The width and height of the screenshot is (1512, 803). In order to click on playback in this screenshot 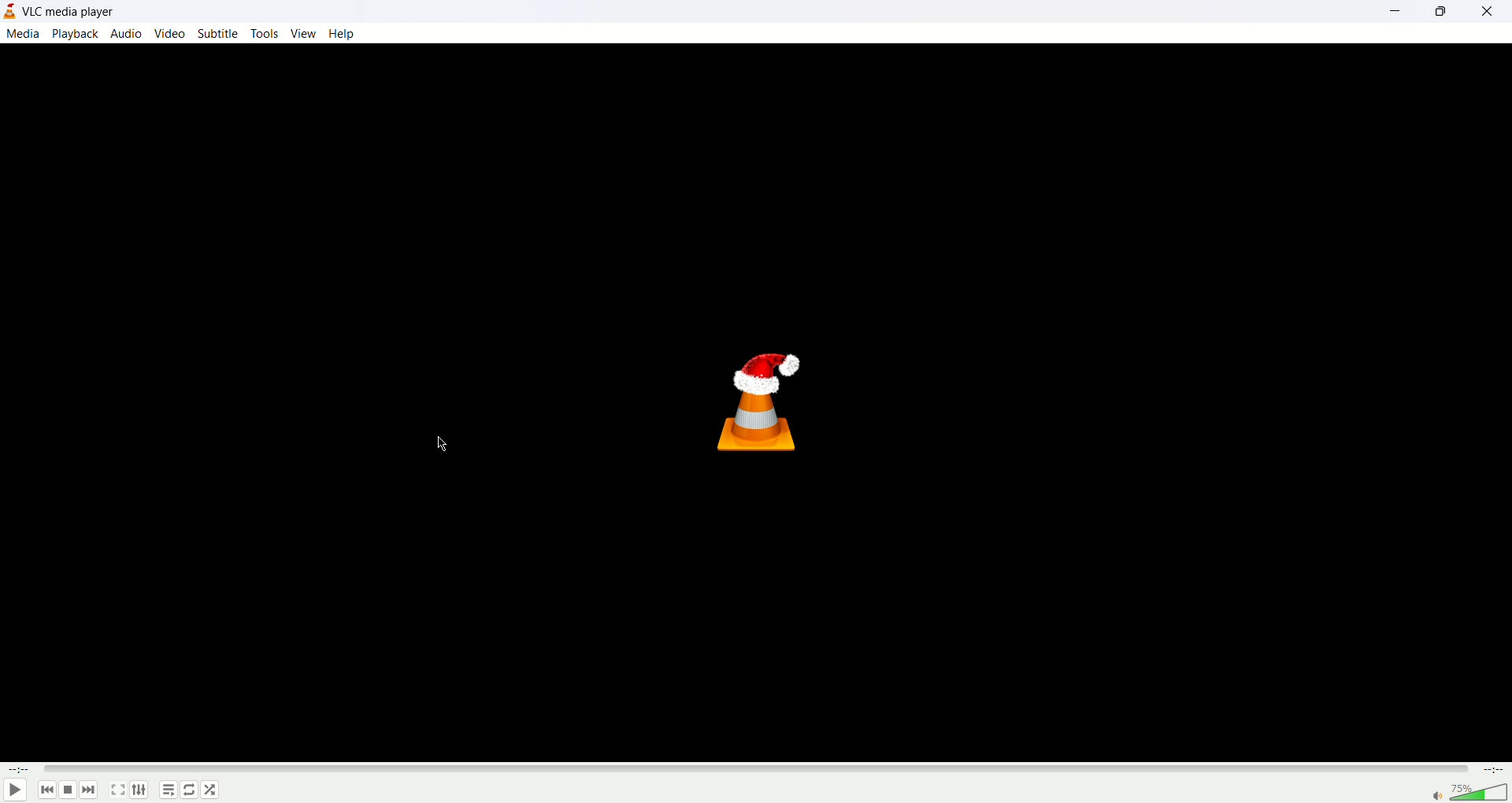, I will do `click(76, 35)`.